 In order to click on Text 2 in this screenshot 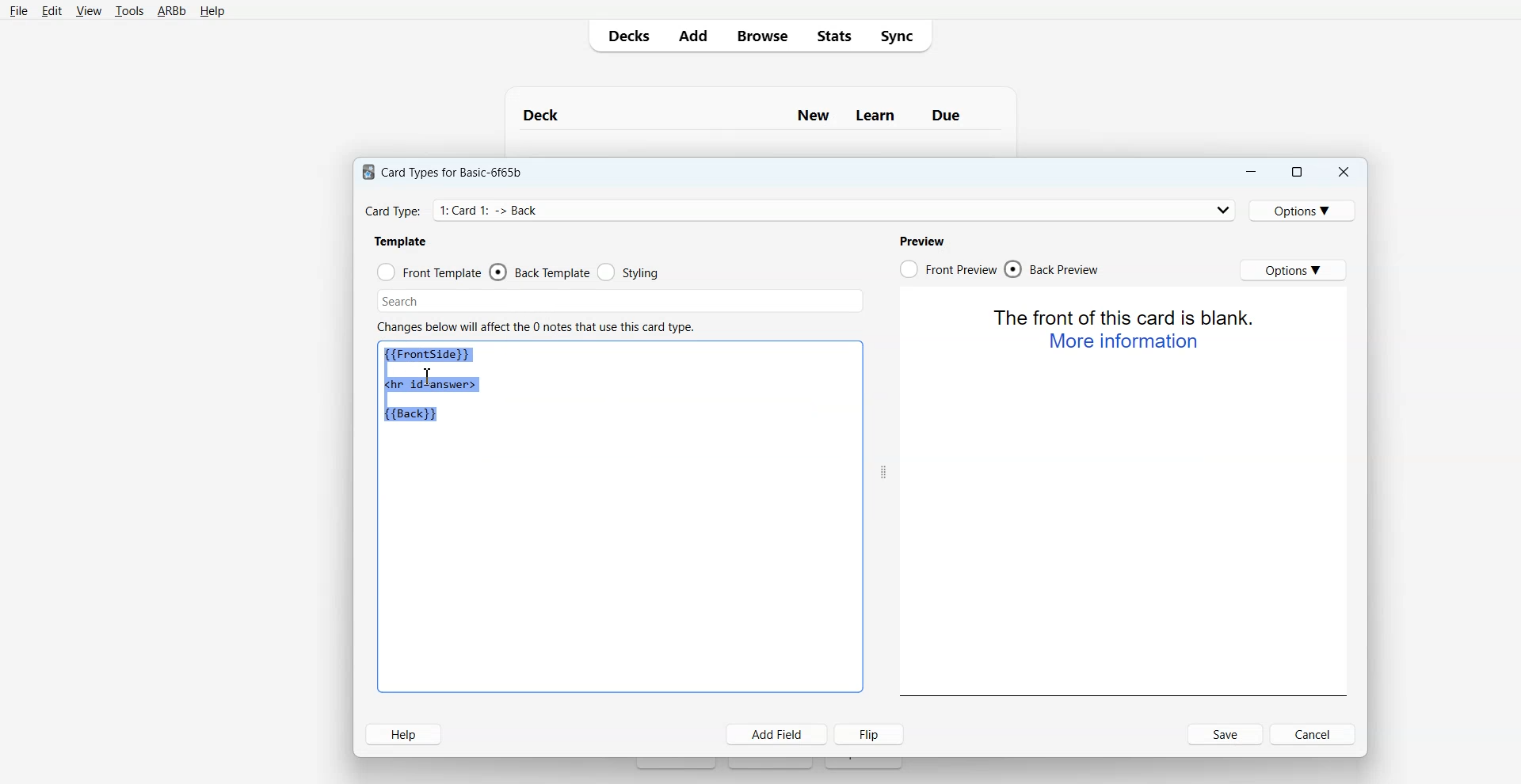, I will do `click(1126, 329)`.